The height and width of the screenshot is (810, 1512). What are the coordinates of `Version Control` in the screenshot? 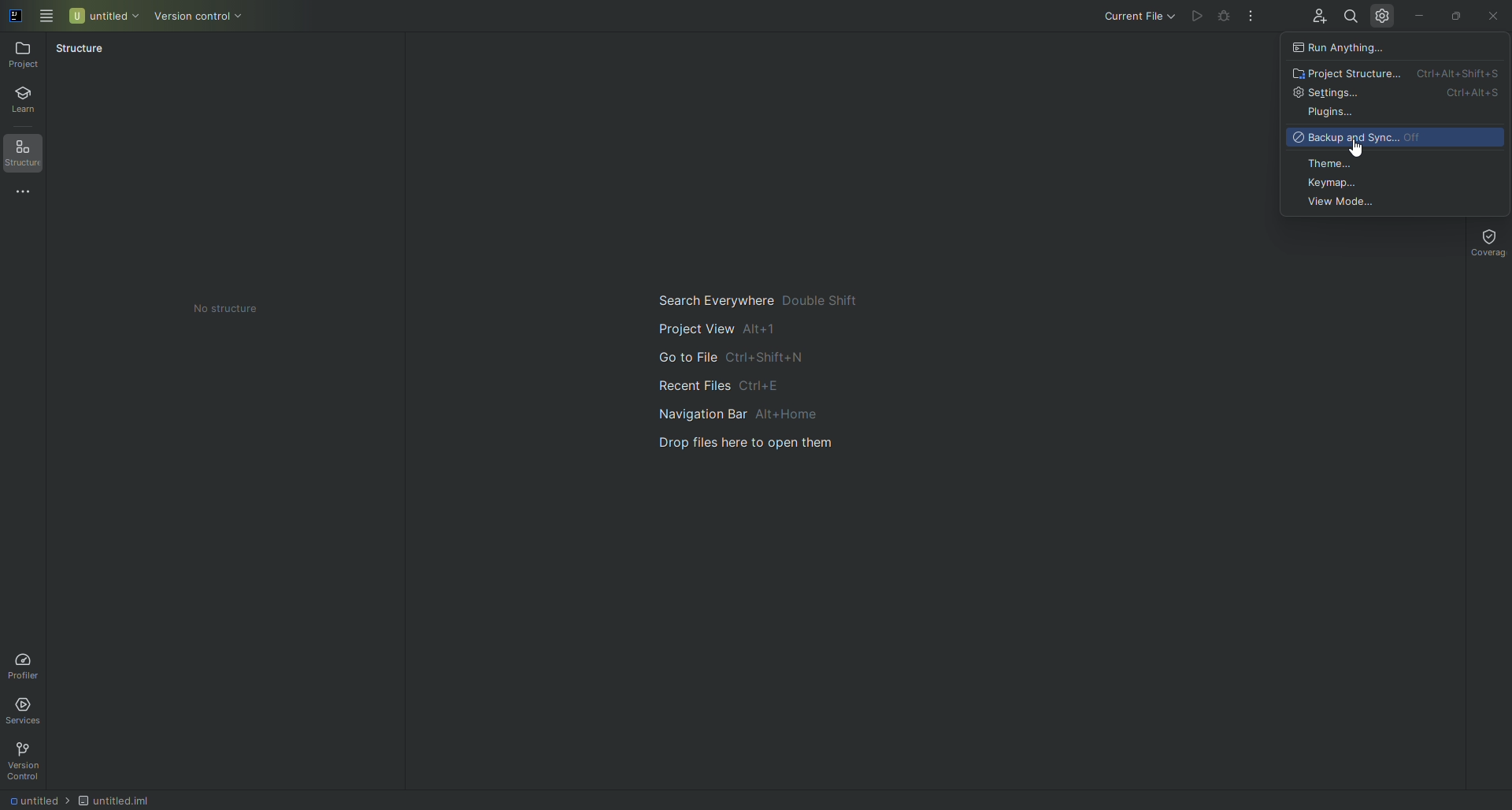 It's located at (212, 17).